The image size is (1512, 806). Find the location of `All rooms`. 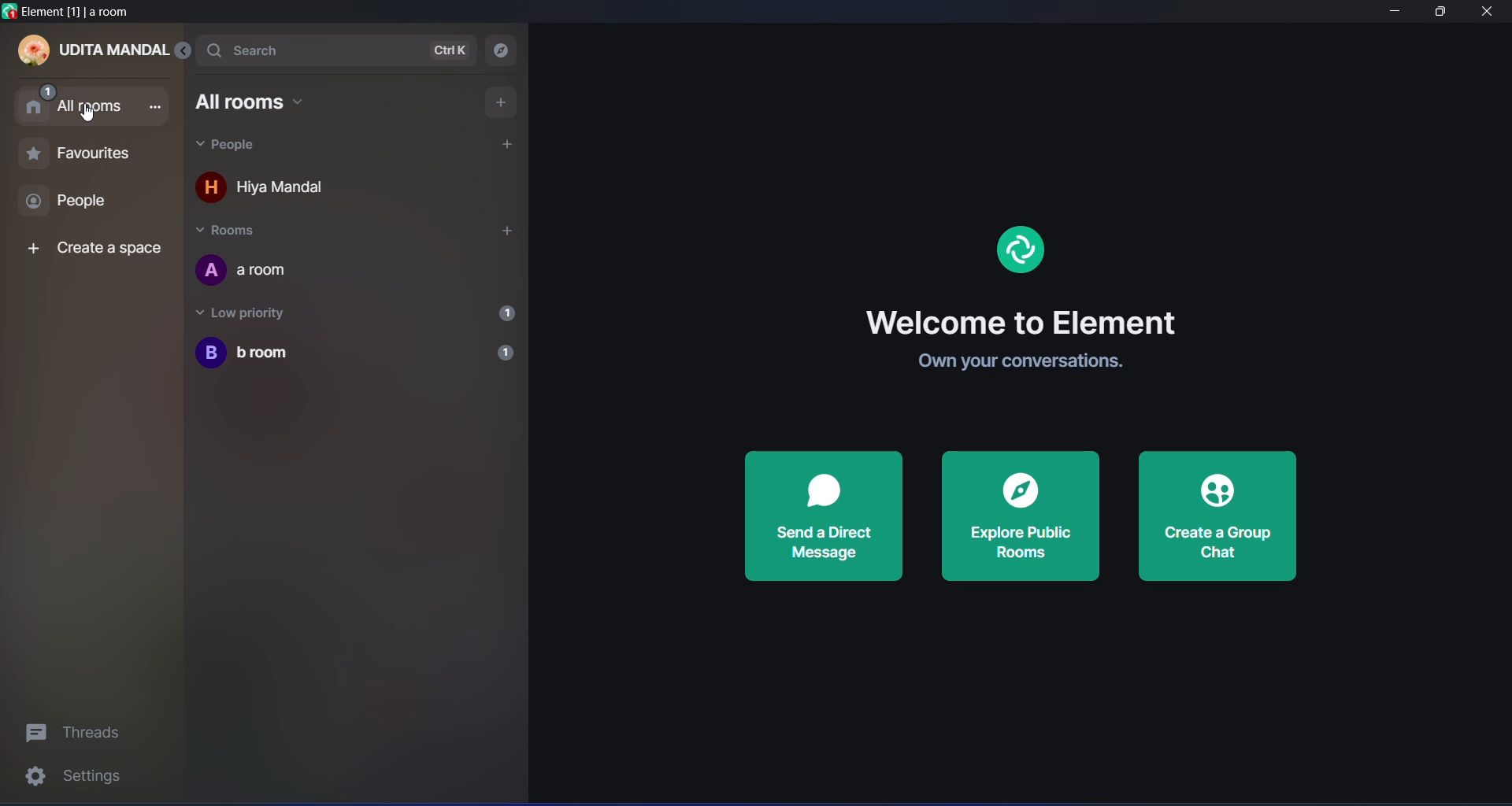

All rooms is located at coordinates (257, 102).